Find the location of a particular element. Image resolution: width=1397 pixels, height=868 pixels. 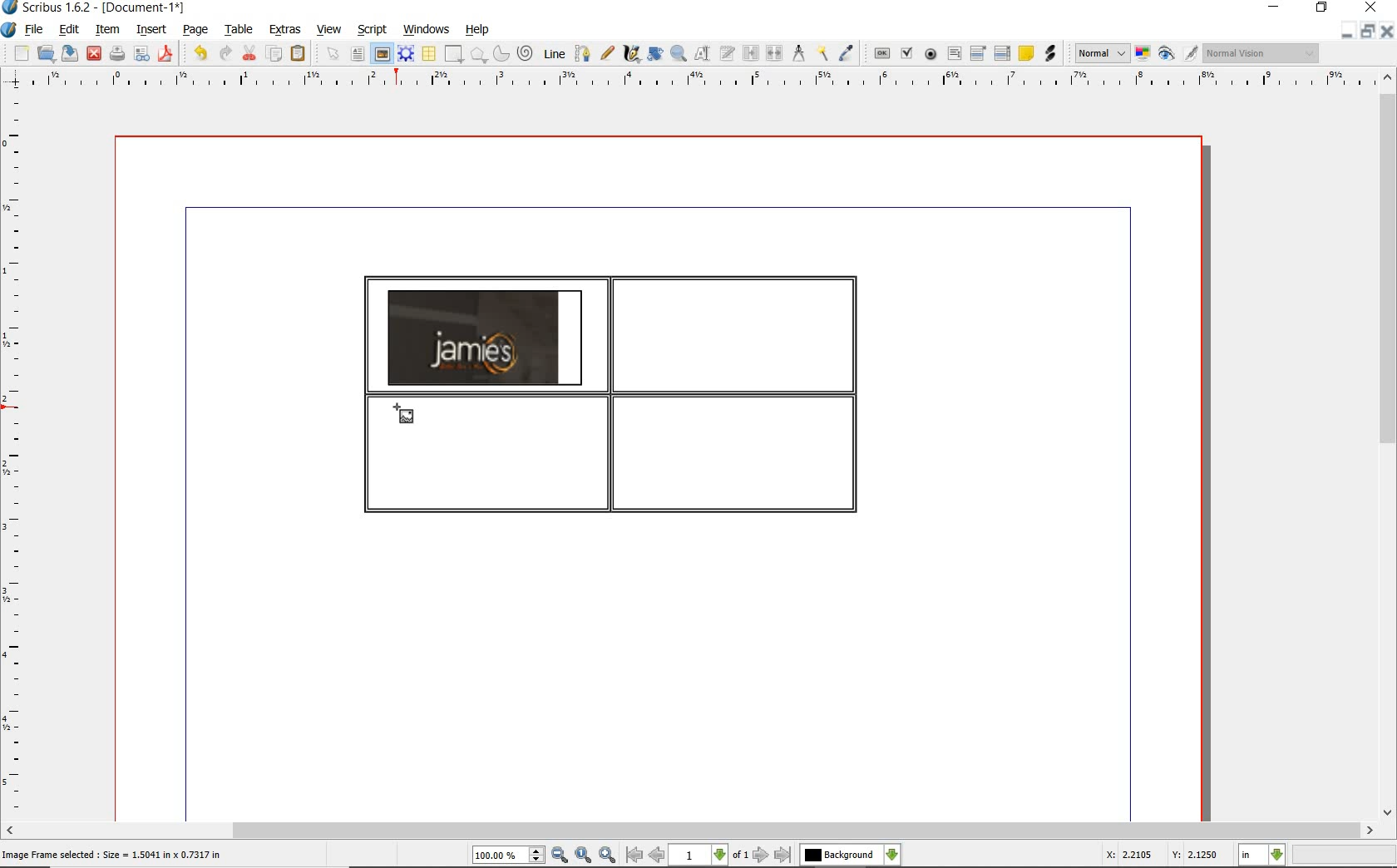

rotate item is located at coordinates (654, 55).